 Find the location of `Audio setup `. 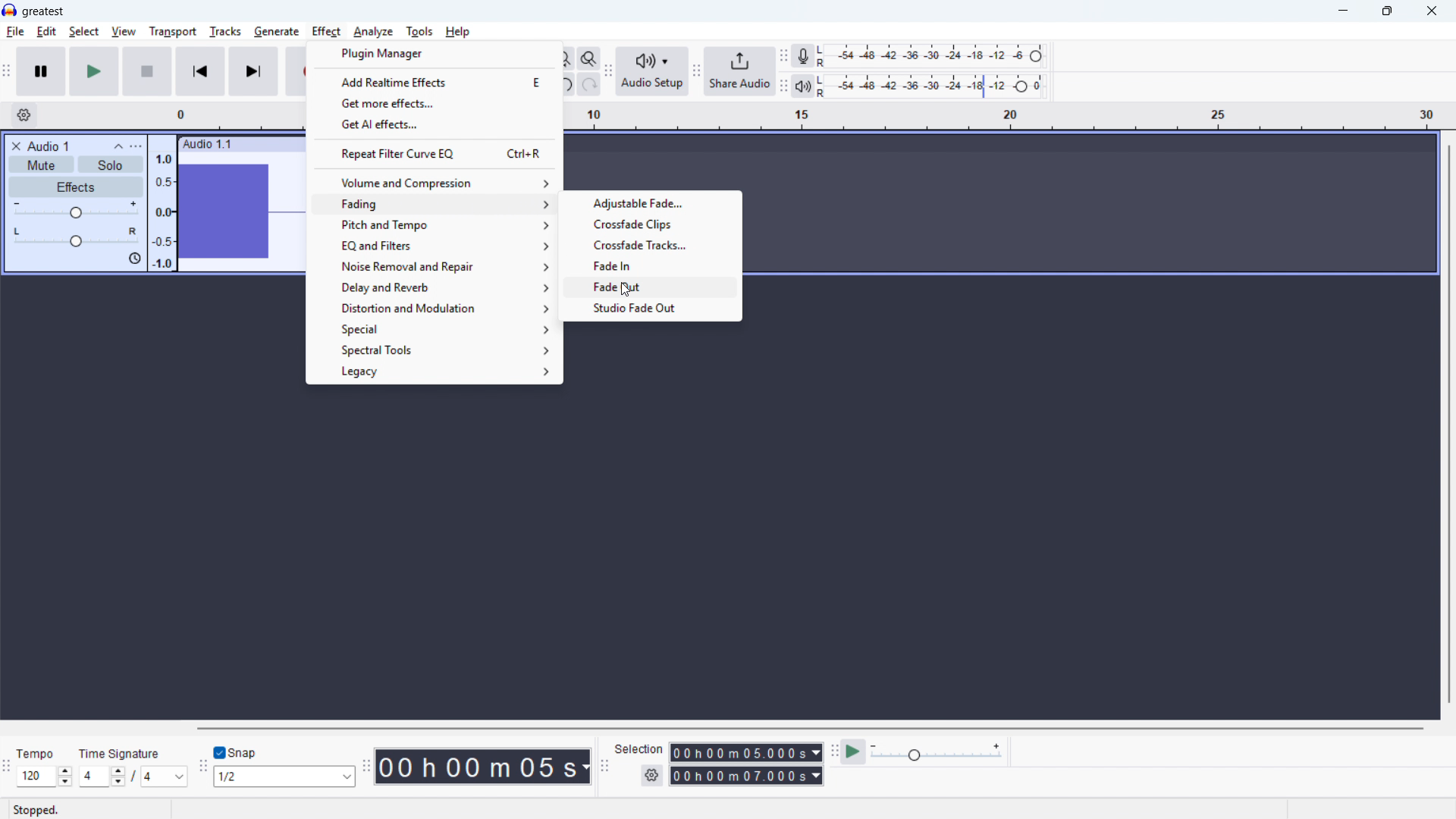

Audio setup  is located at coordinates (653, 72).